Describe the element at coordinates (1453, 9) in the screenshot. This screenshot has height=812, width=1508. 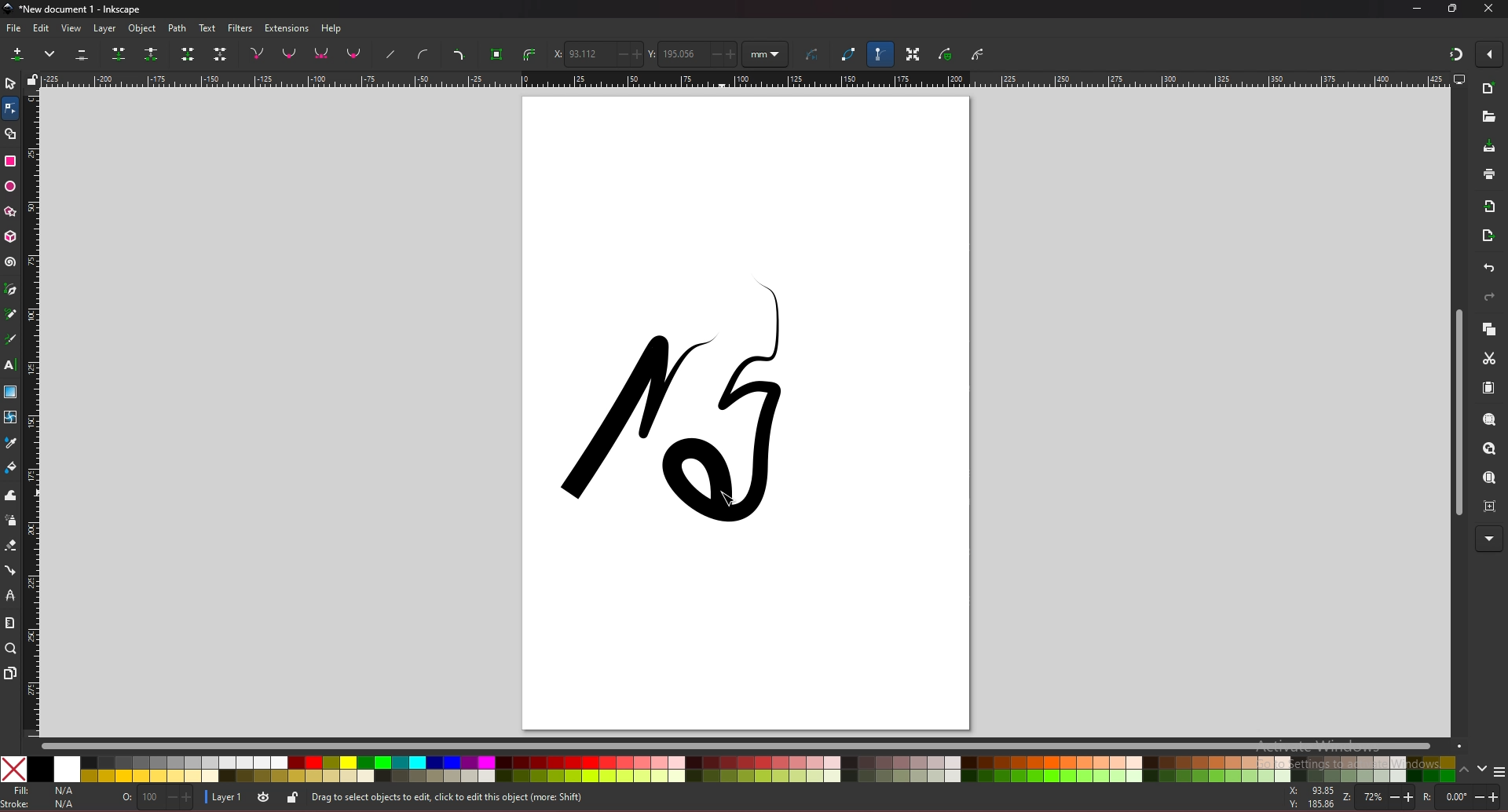
I see `resize` at that location.